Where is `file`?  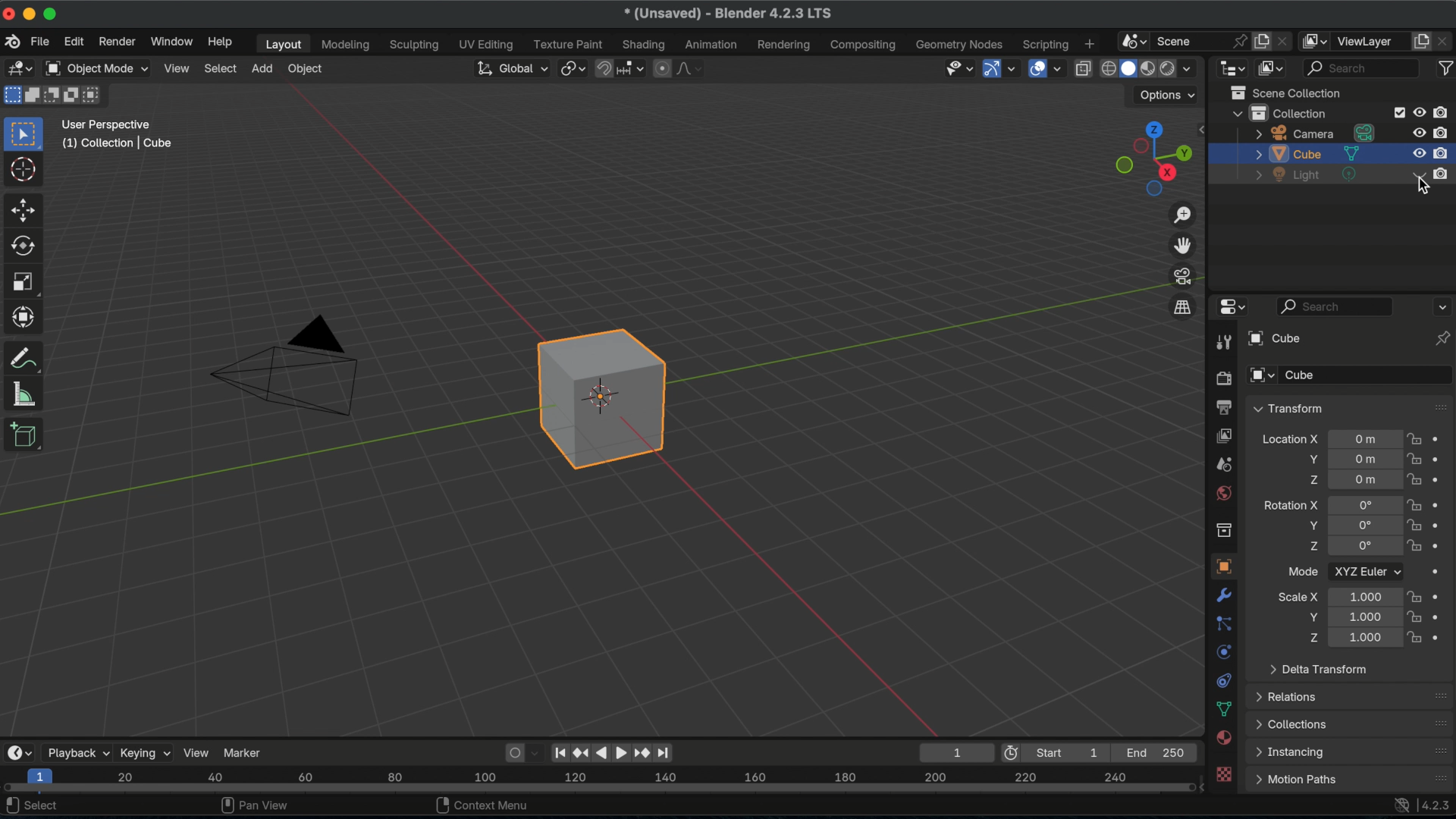 file is located at coordinates (42, 41).